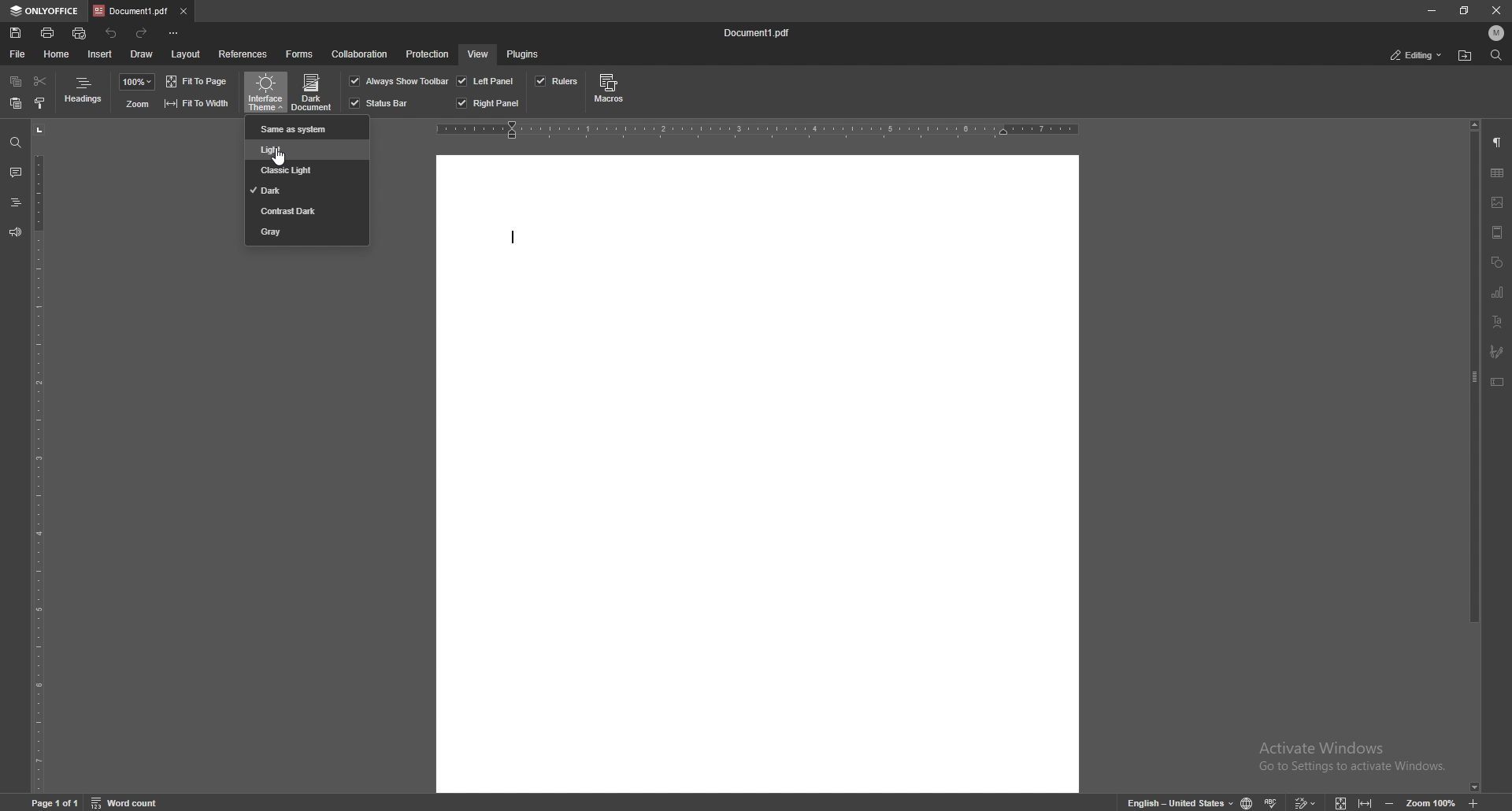 The image size is (1512, 811). I want to click on status bar, so click(380, 103).